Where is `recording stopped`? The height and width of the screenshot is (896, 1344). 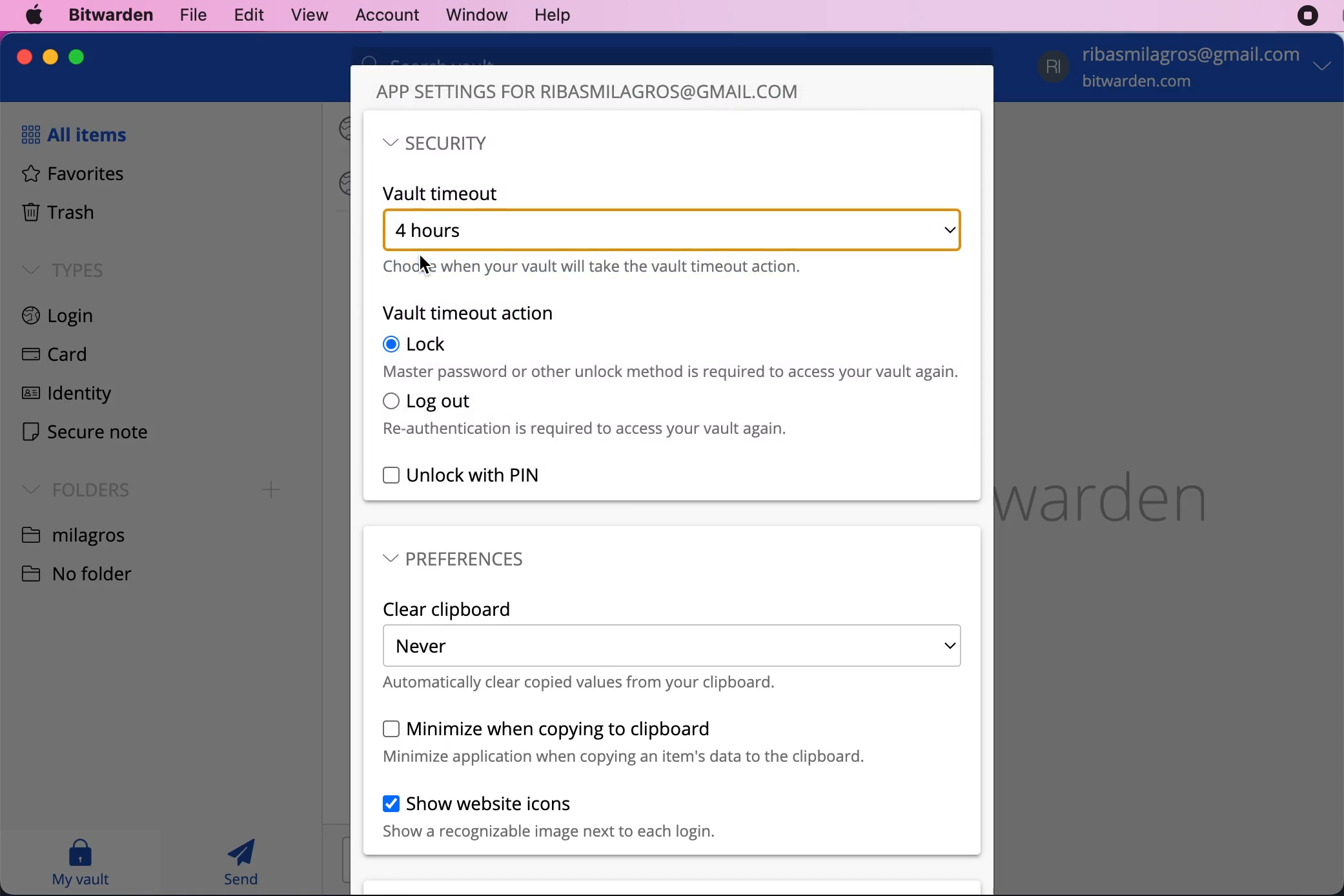 recording stopped is located at coordinates (1308, 16).